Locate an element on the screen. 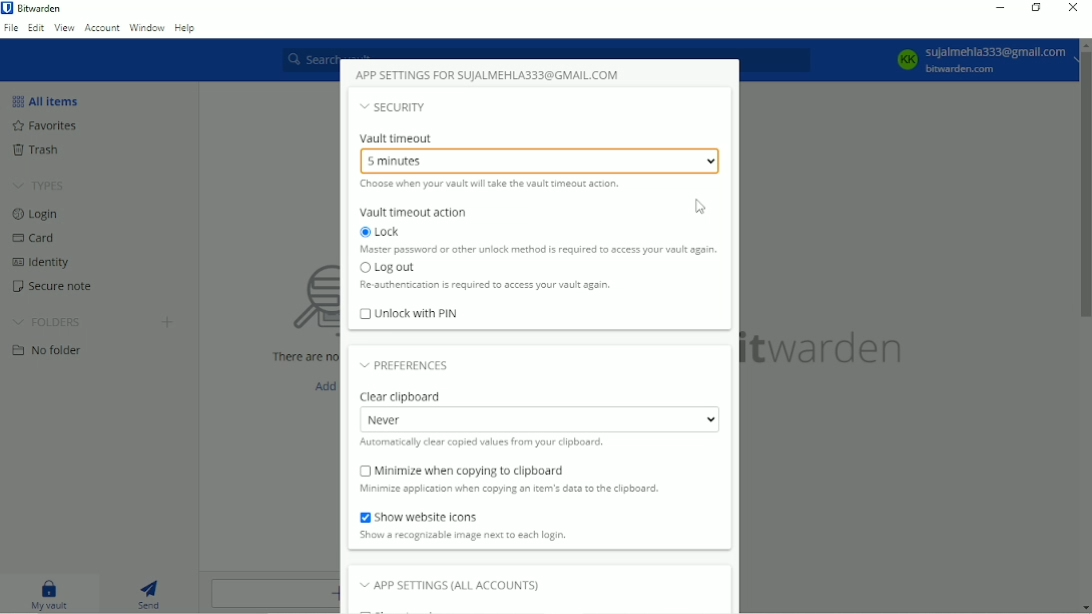  App settings (ALL ACCOUNTS) is located at coordinates (459, 585).